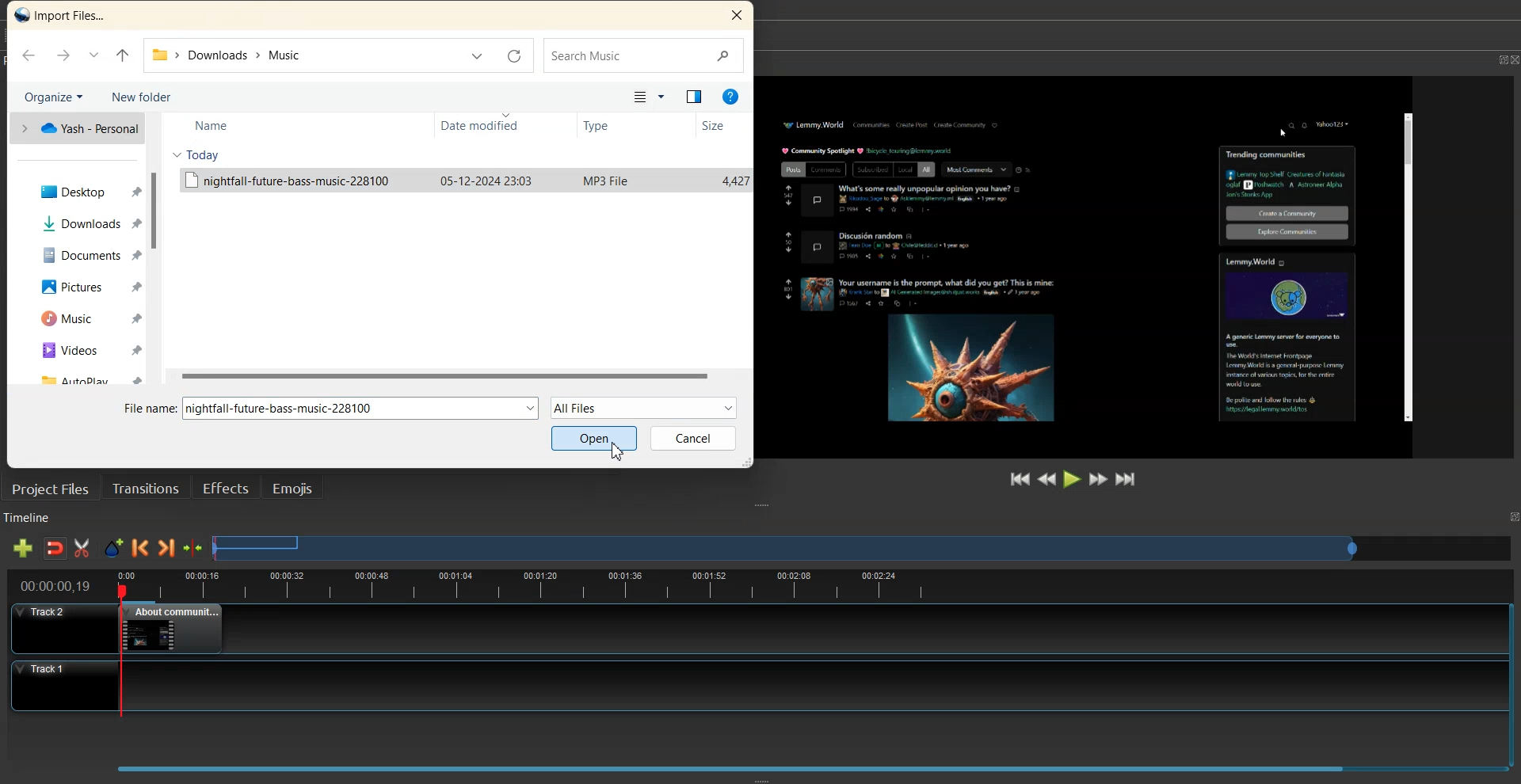  Describe the element at coordinates (1126, 478) in the screenshot. I see `Jump to End` at that location.